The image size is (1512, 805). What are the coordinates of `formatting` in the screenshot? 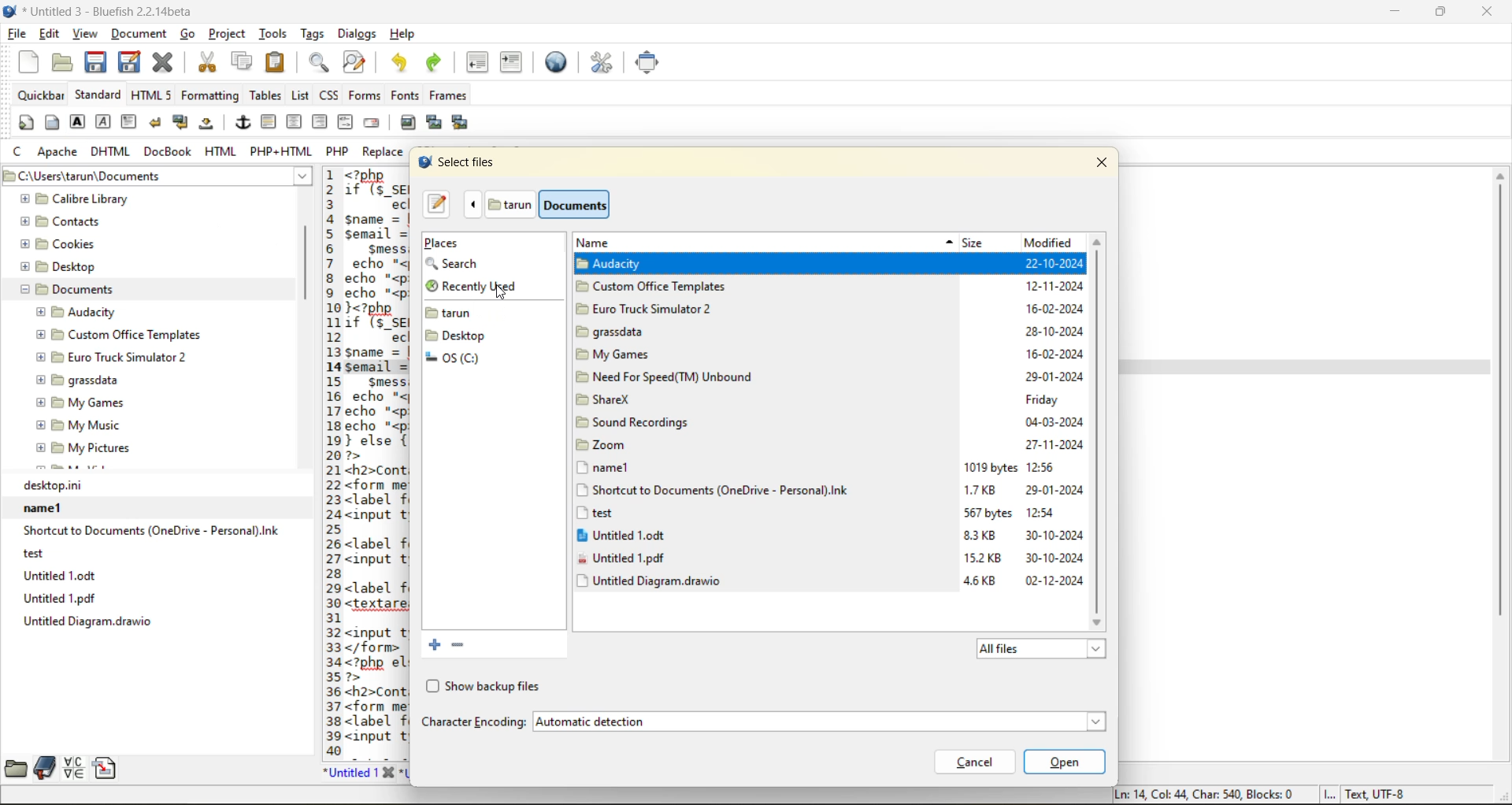 It's located at (211, 95).